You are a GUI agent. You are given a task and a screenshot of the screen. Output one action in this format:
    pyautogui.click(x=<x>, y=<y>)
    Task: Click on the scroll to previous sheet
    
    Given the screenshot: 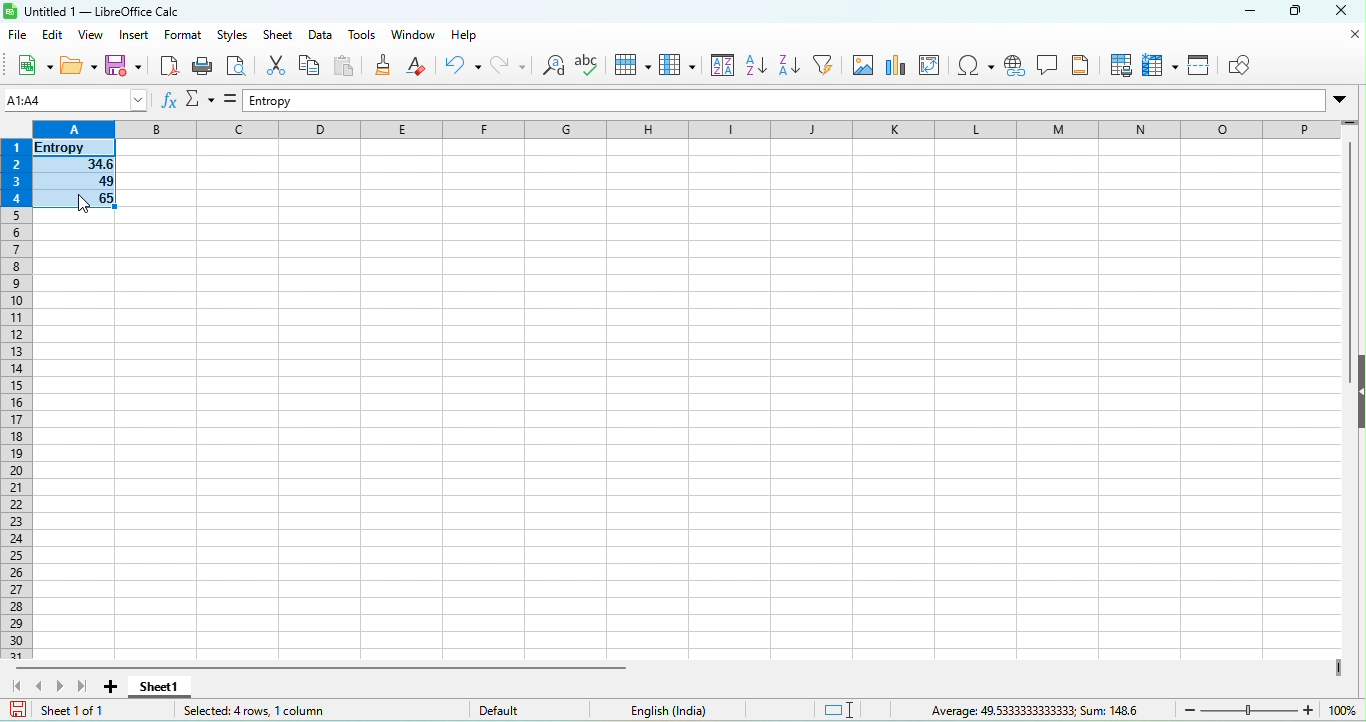 What is the action you would take?
    pyautogui.click(x=43, y=684)
    